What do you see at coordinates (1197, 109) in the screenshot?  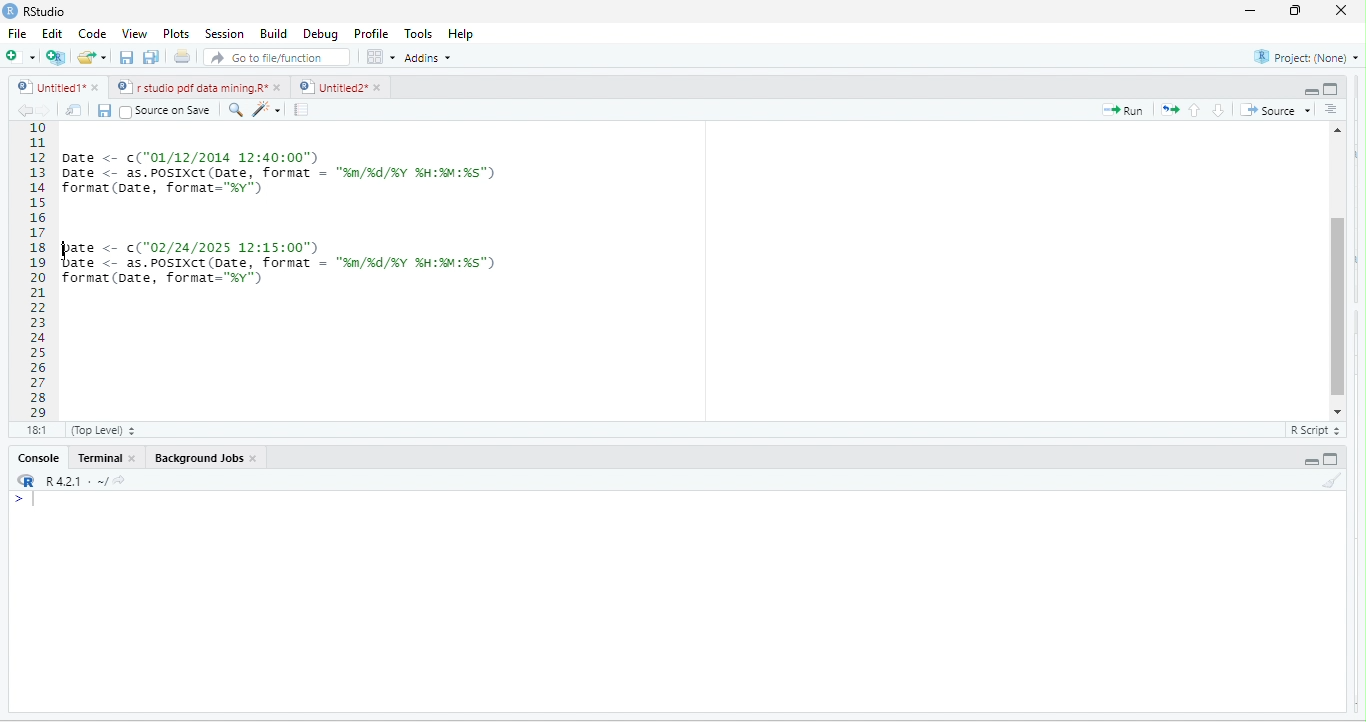 I see `go to previous section/chunk` at bounding box center [1197, 109].